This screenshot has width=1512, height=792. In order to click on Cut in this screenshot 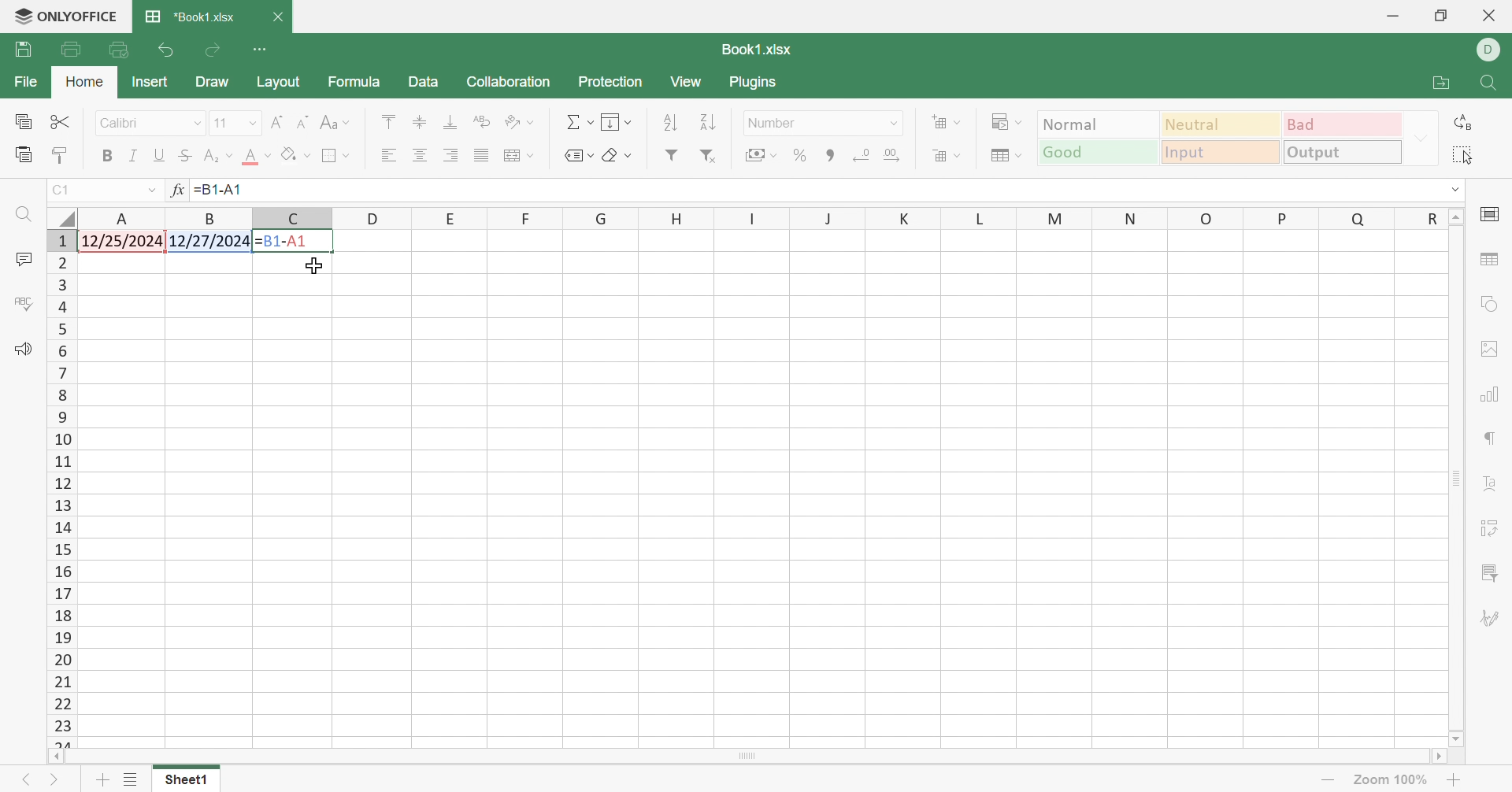, I will do `click(63, 124)`.